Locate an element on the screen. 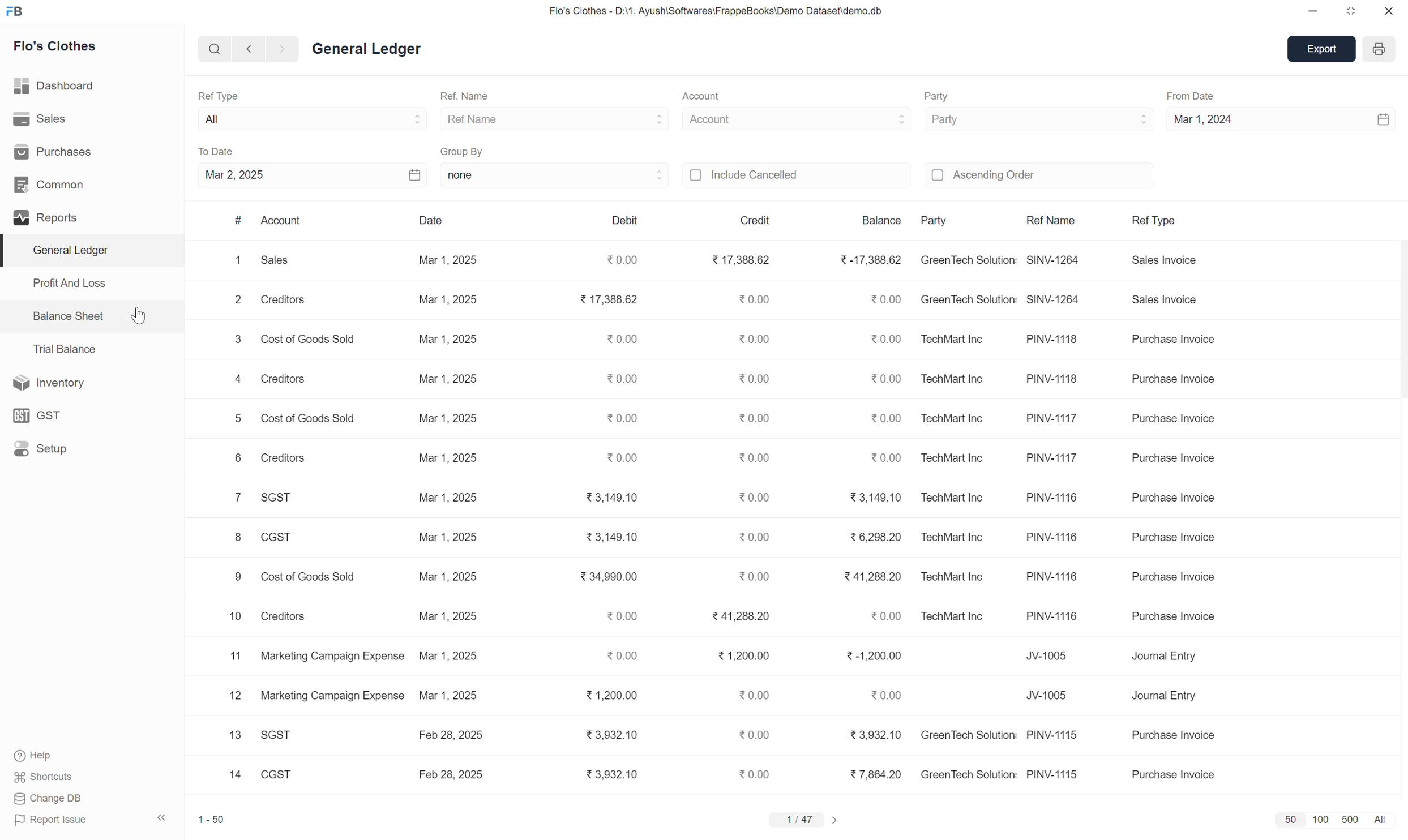 This screenshot has height=840, width=1408. Mar 1, 2025 is located at coordinates (450, 301).